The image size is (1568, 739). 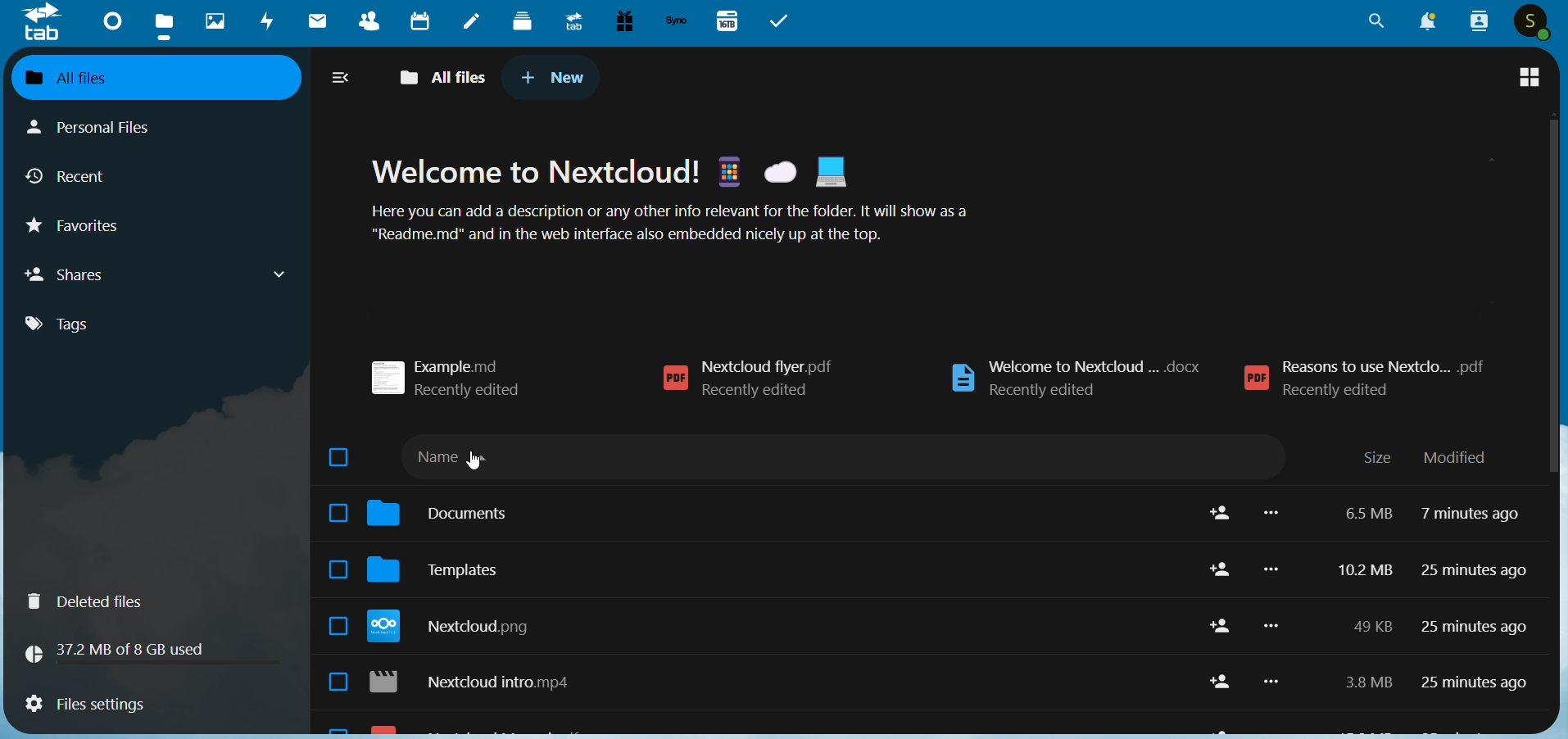 What do you see at coordinates (666, 542) in the screenshot?
I see `reordered folder` at bounding box center [666, 542].